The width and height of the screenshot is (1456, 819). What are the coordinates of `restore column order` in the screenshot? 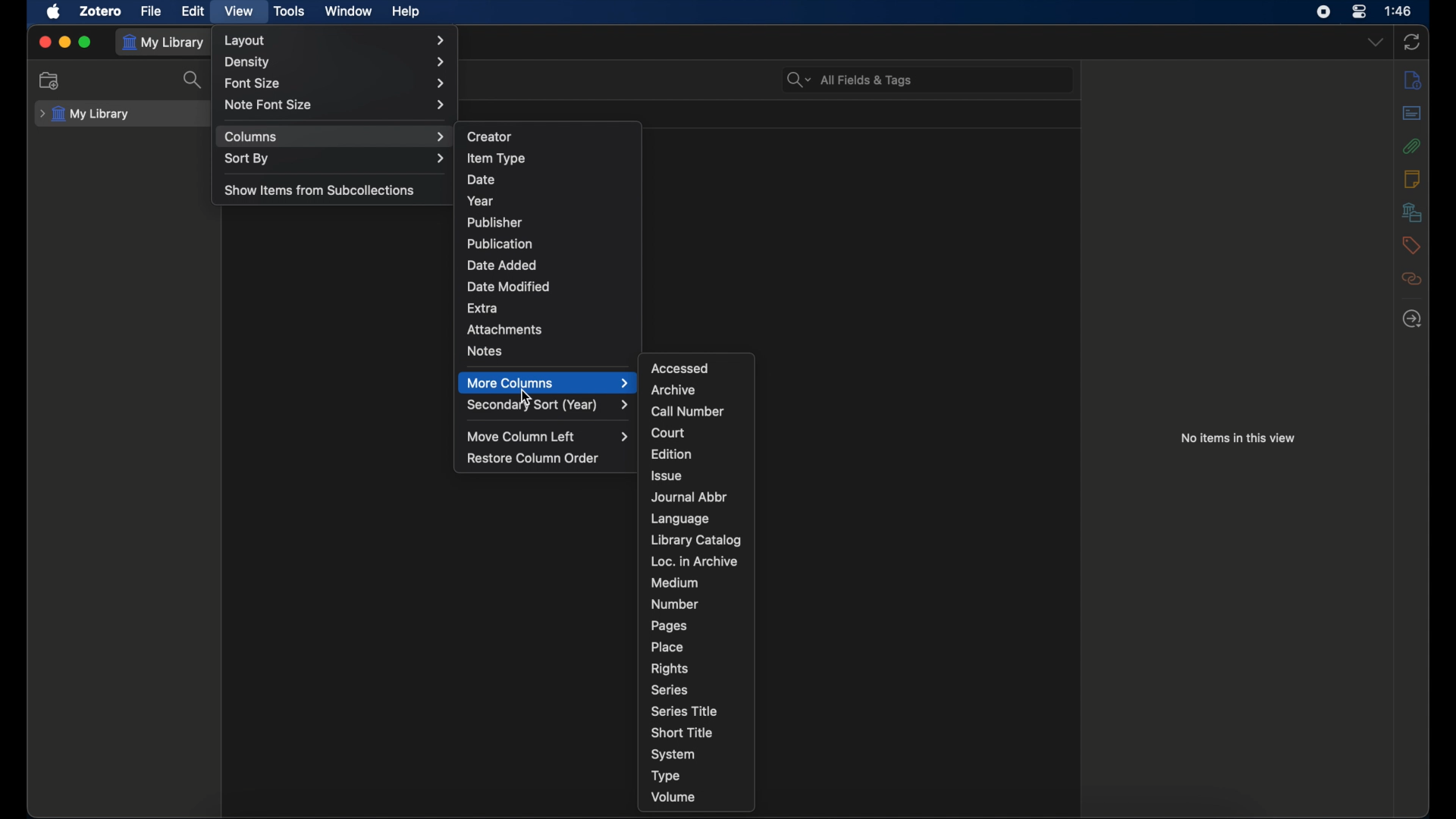 It's located at (533, 459).